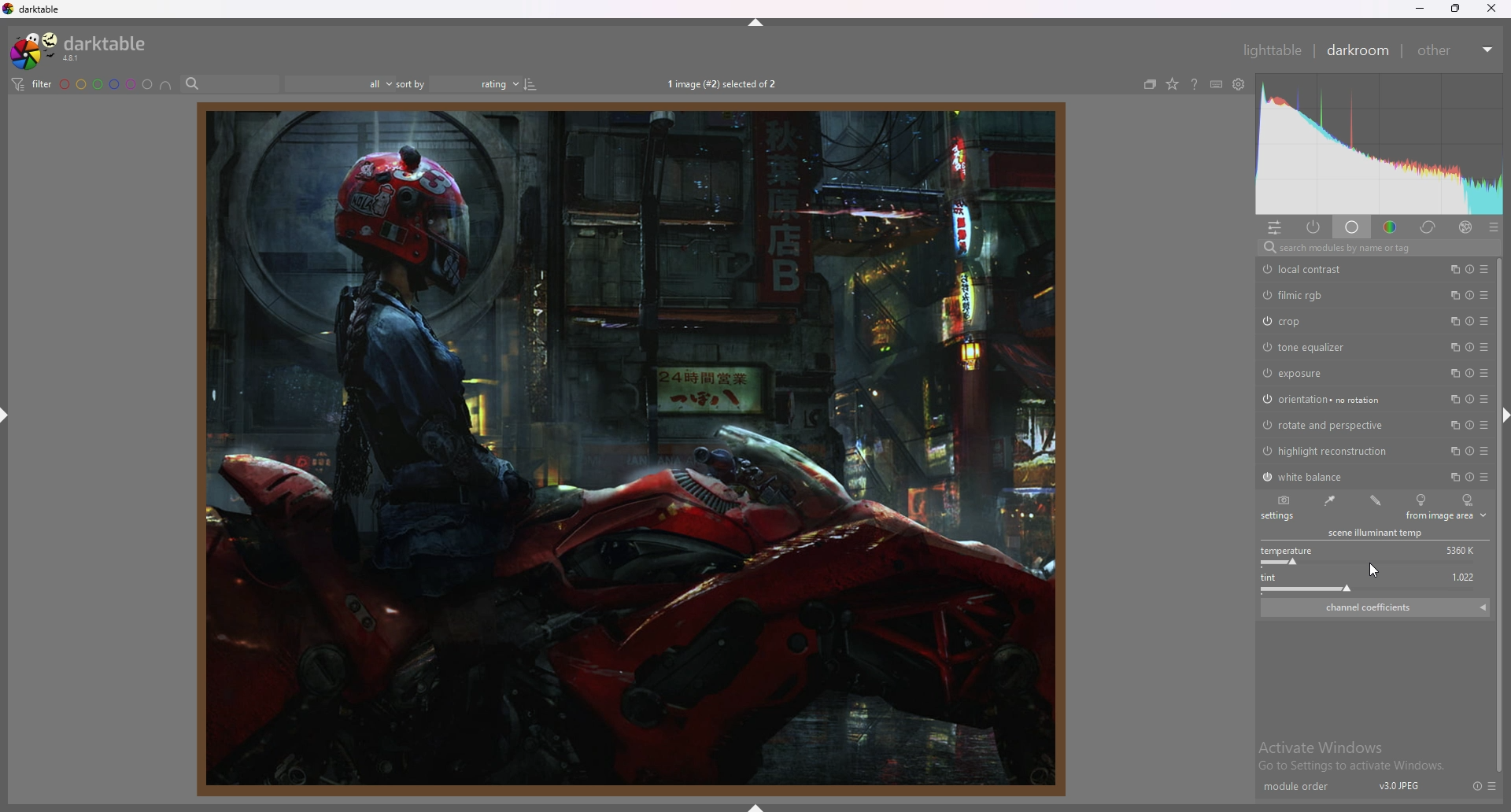 The height and width of the screenshot is (812, 1511). I want to click on channel coefficients, so click(1375, 607).